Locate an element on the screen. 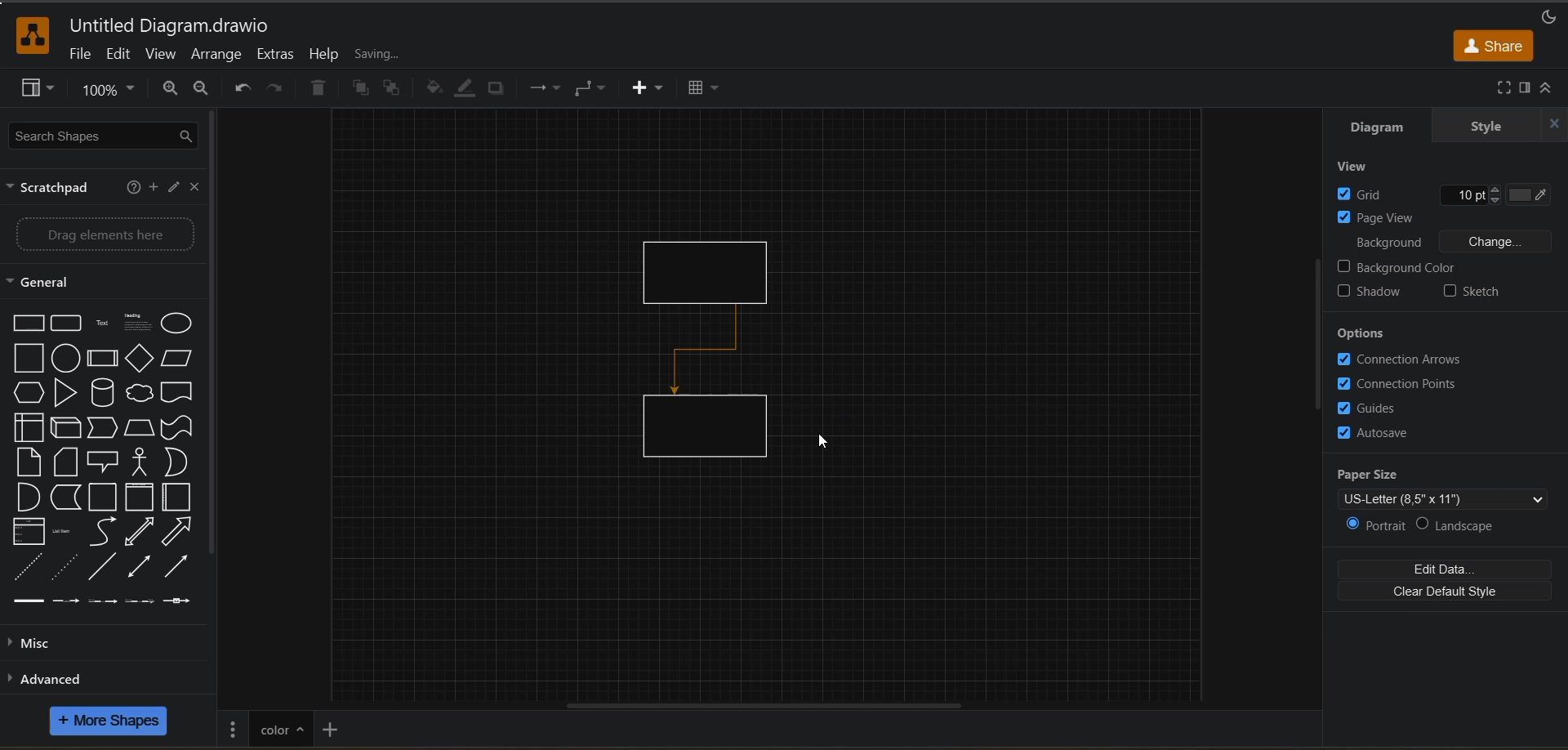 This screenshot has height=750, width=1568. fullscreen is located at coordinates (1504, 87).